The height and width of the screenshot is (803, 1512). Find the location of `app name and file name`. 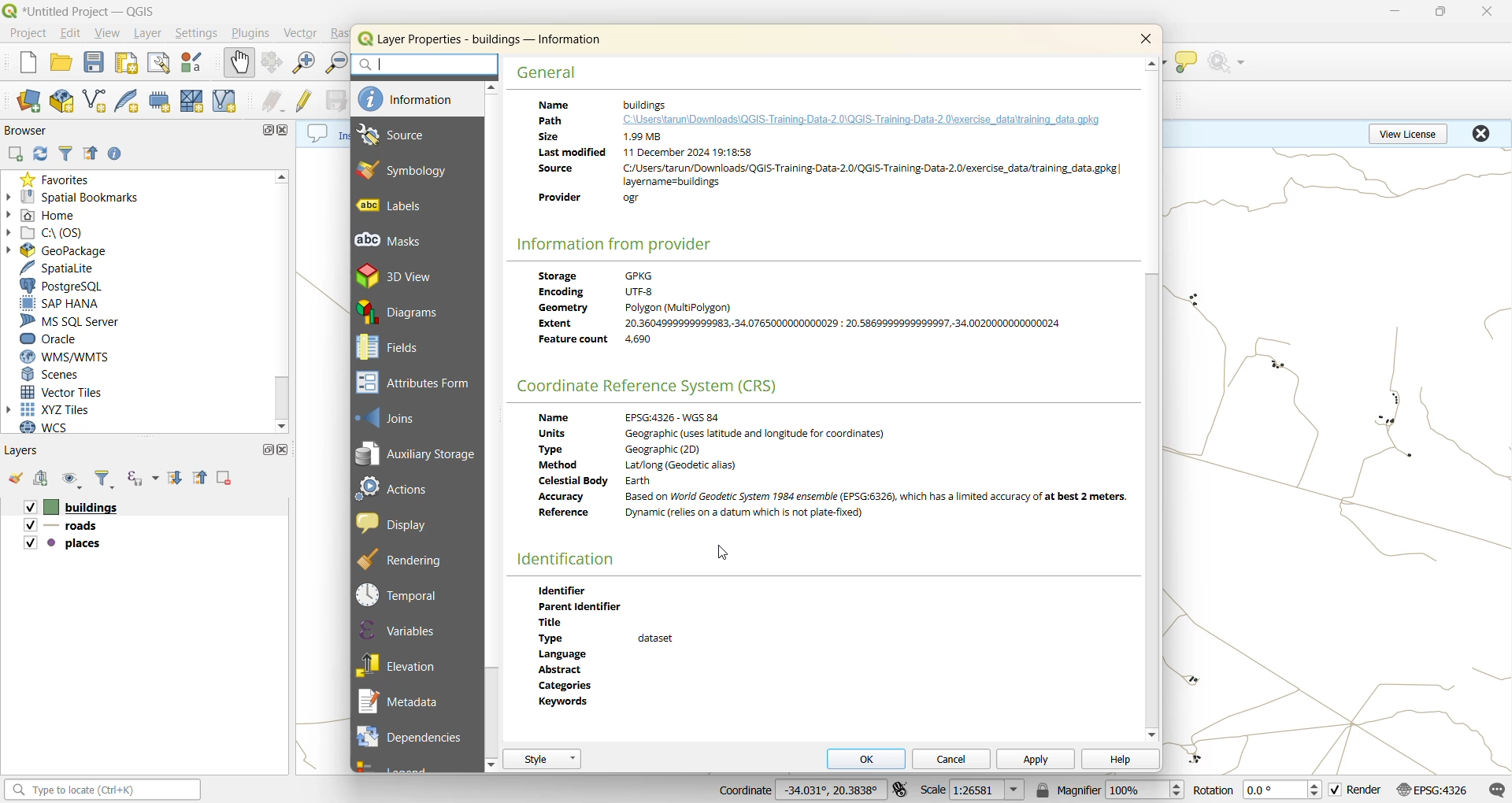

app name and file name is located at coordinates (87, 11).